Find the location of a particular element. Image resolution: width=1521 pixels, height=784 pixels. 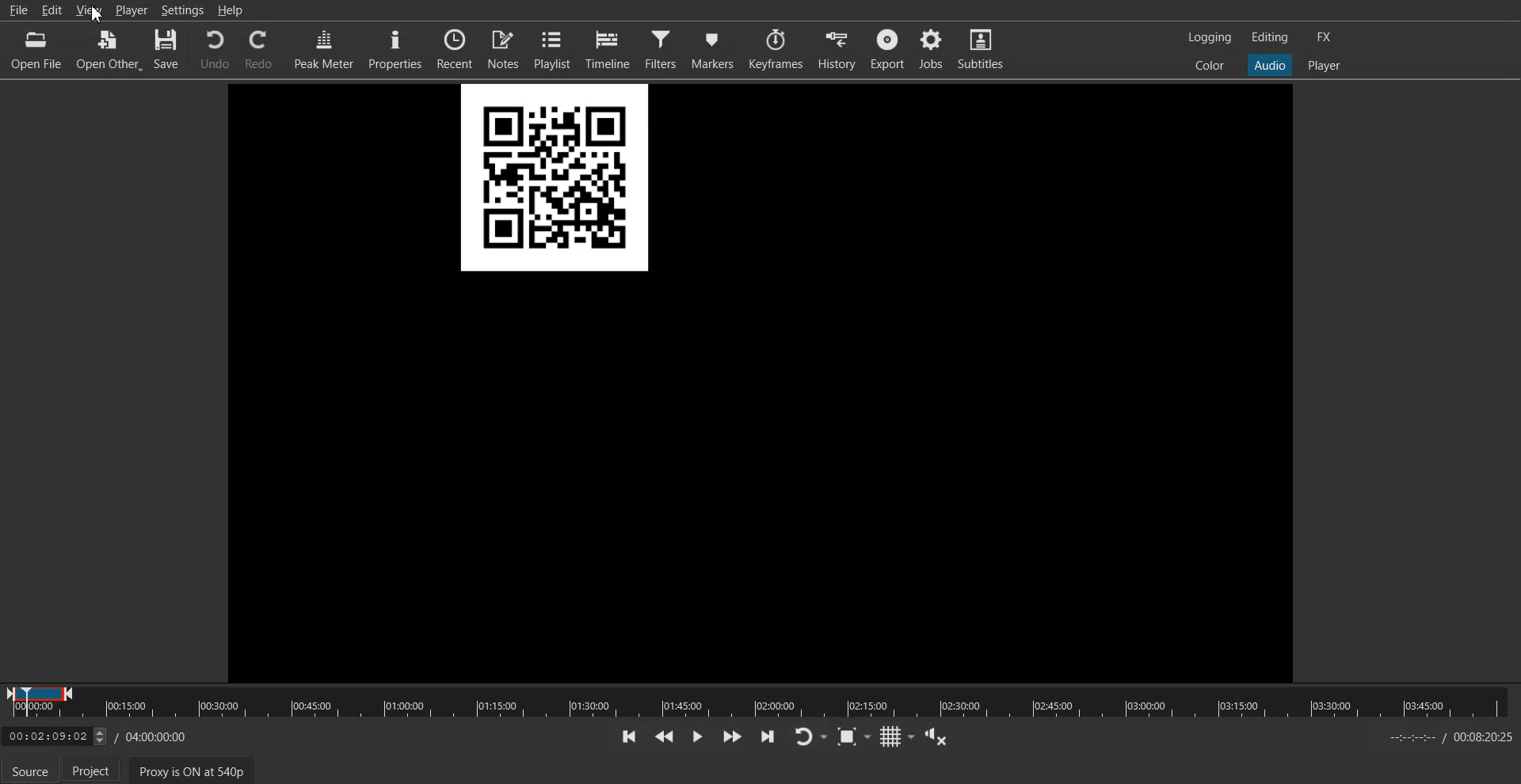

Undo is located at coordinates (213, 50).